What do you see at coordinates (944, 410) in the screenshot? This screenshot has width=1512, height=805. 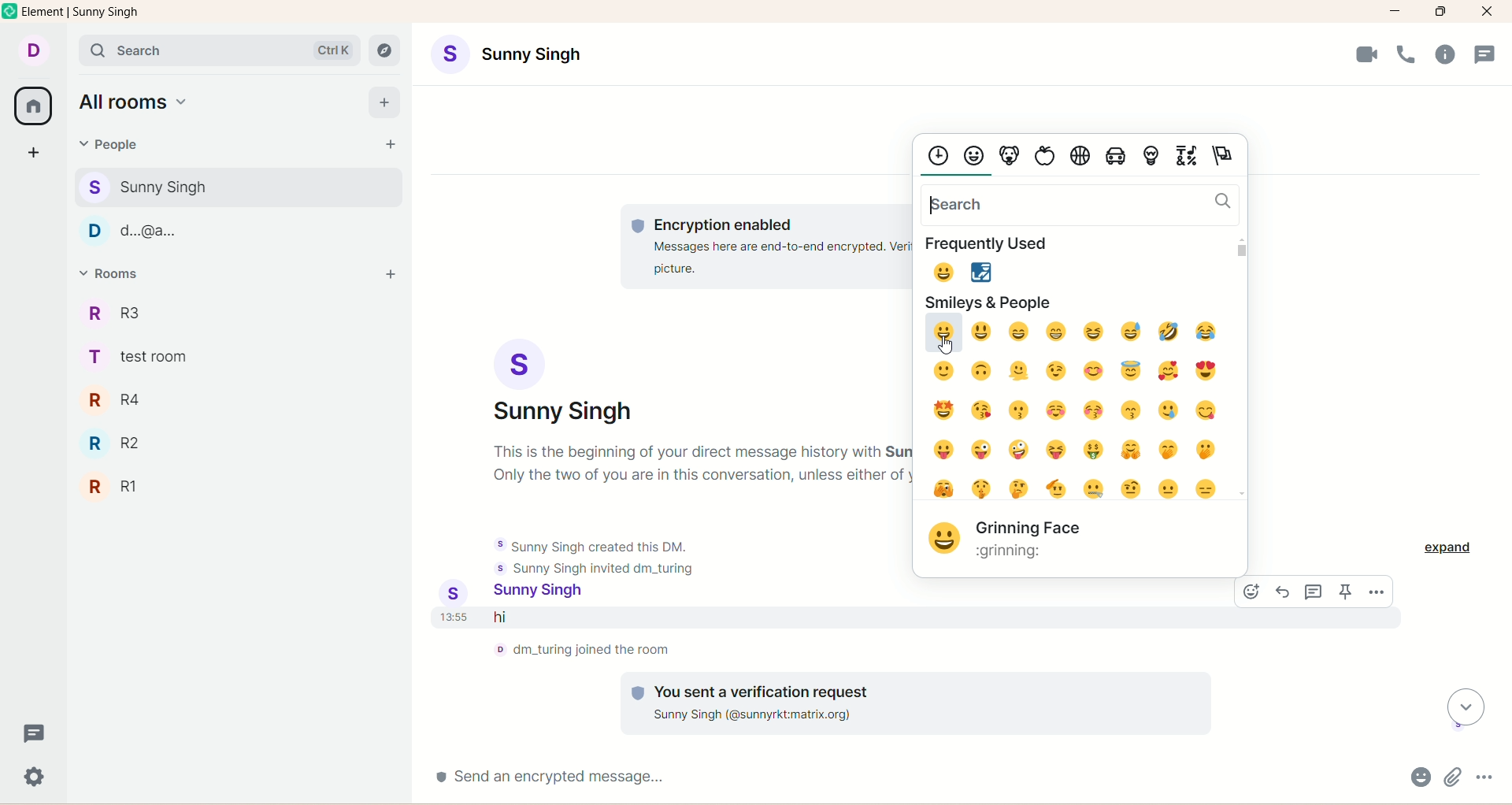 I see `Star struck` at bounding box center [944, 410].